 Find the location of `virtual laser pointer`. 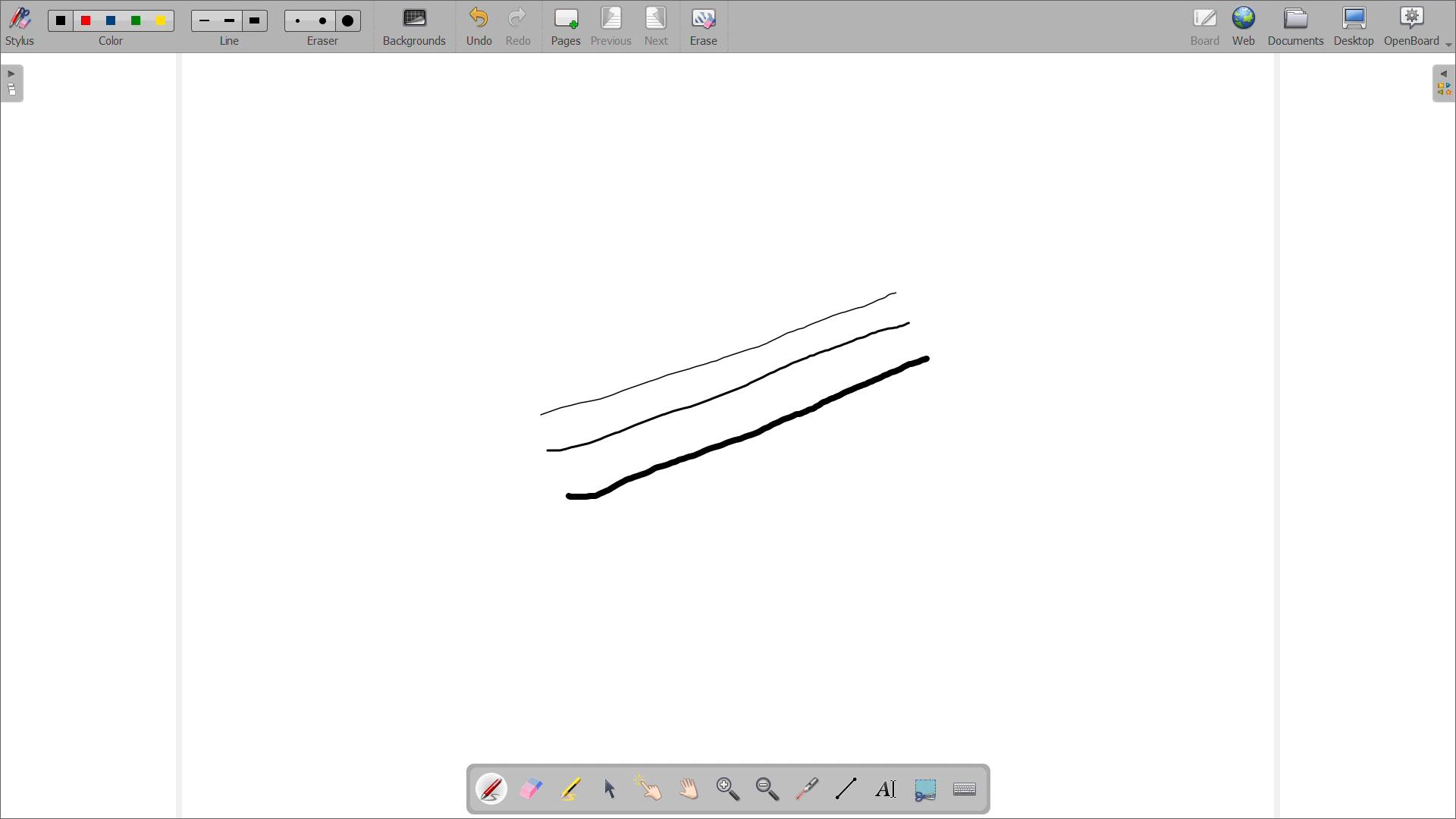

virtual laser pointer is located at coordinates (808, 787).